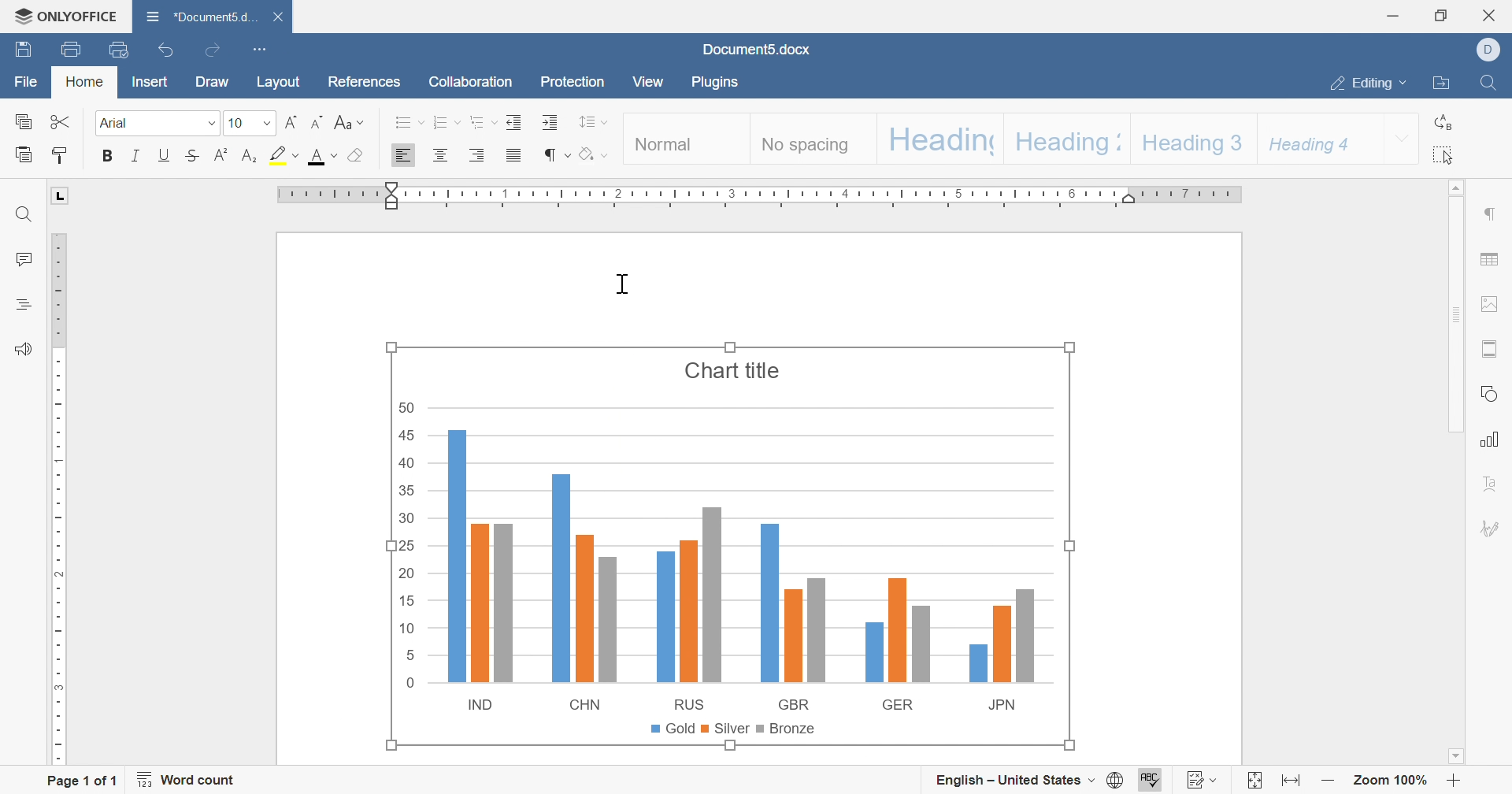  What do you see at coordinates (470, 81) in the screenshot?
I see `collaboration` at bounding box center [470, 81].